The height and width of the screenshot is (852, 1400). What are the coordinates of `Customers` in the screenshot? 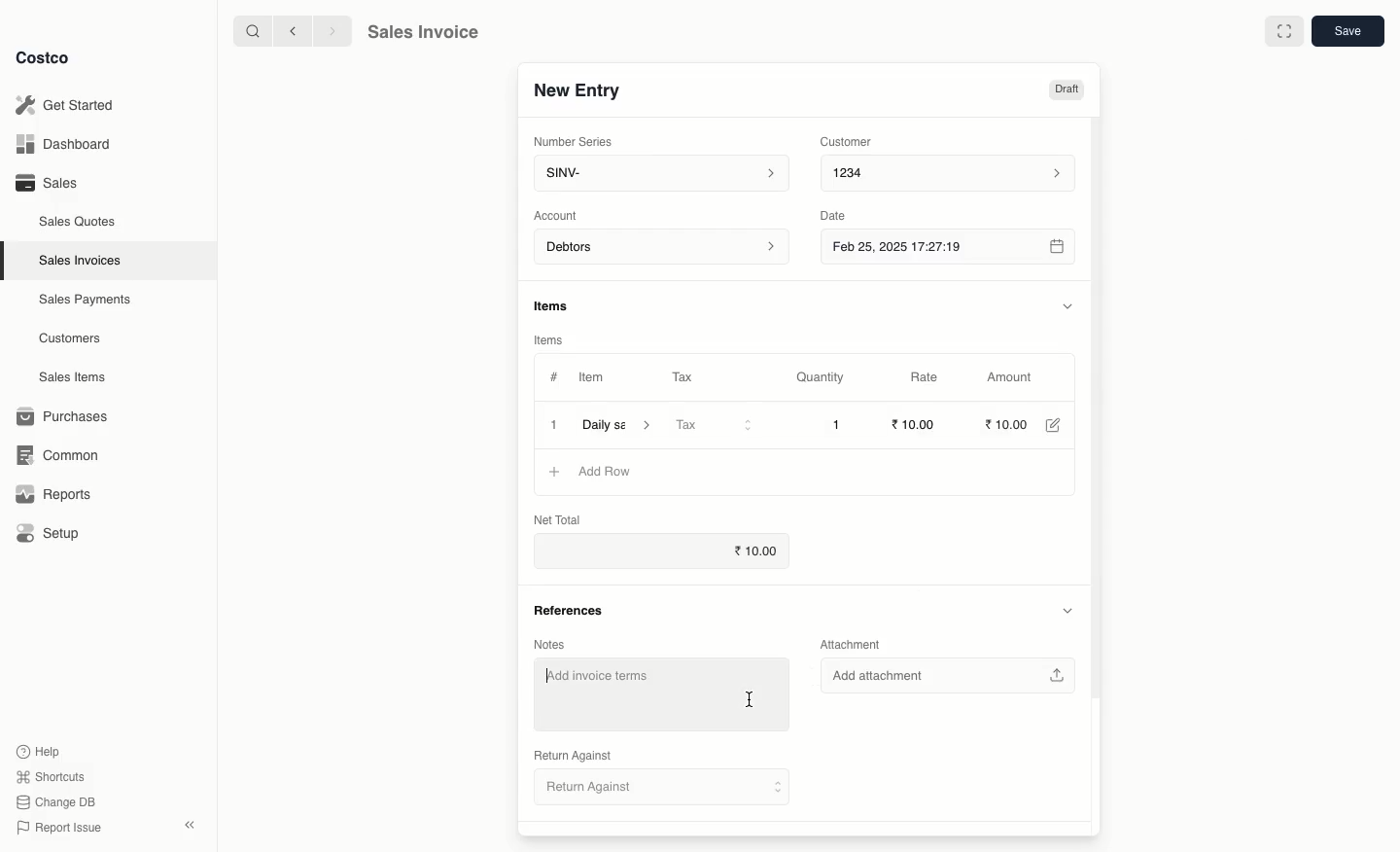 It's located at (68, 337).